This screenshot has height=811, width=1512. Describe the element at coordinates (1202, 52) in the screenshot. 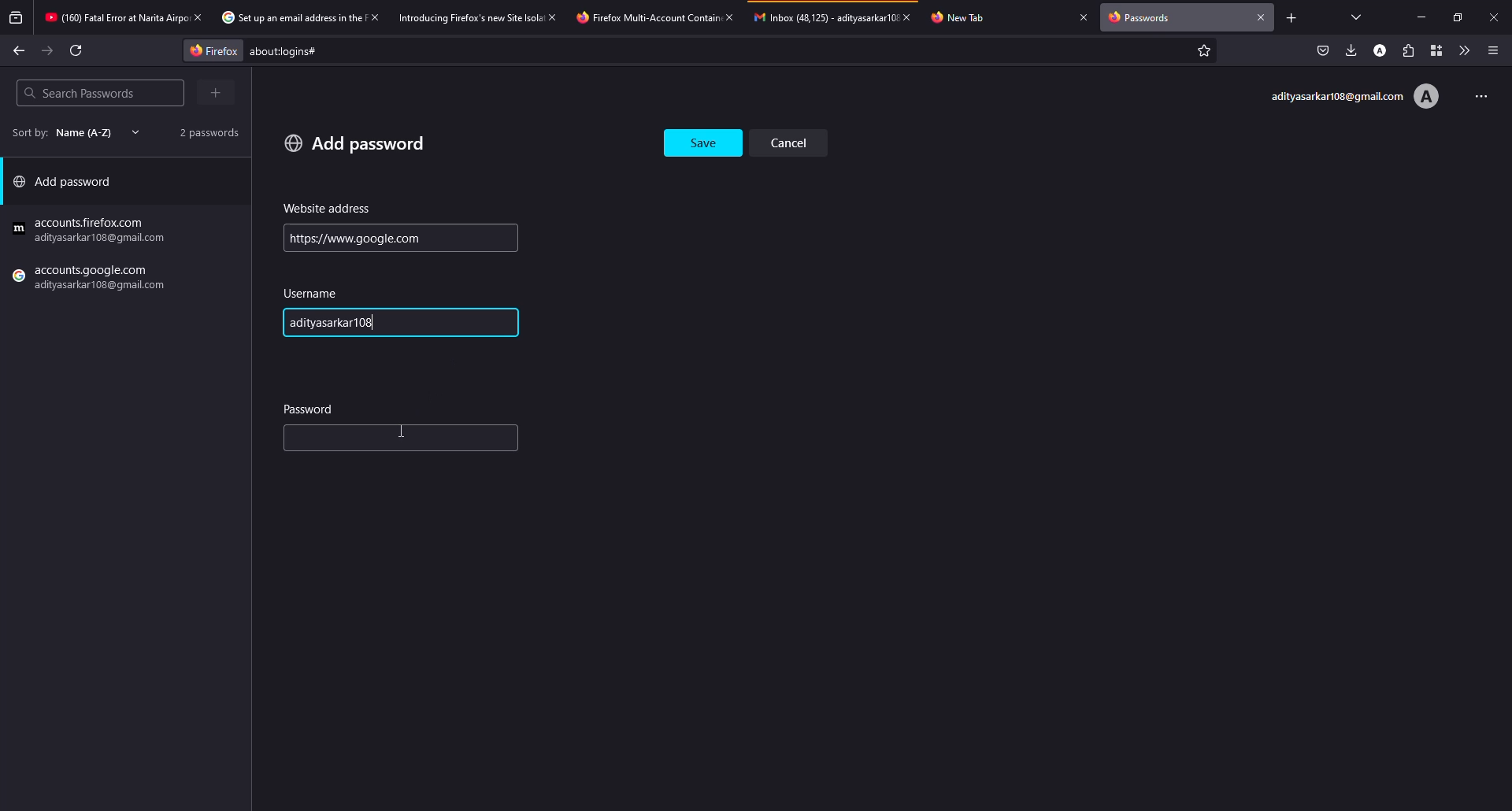

I see `favorites` at that location.